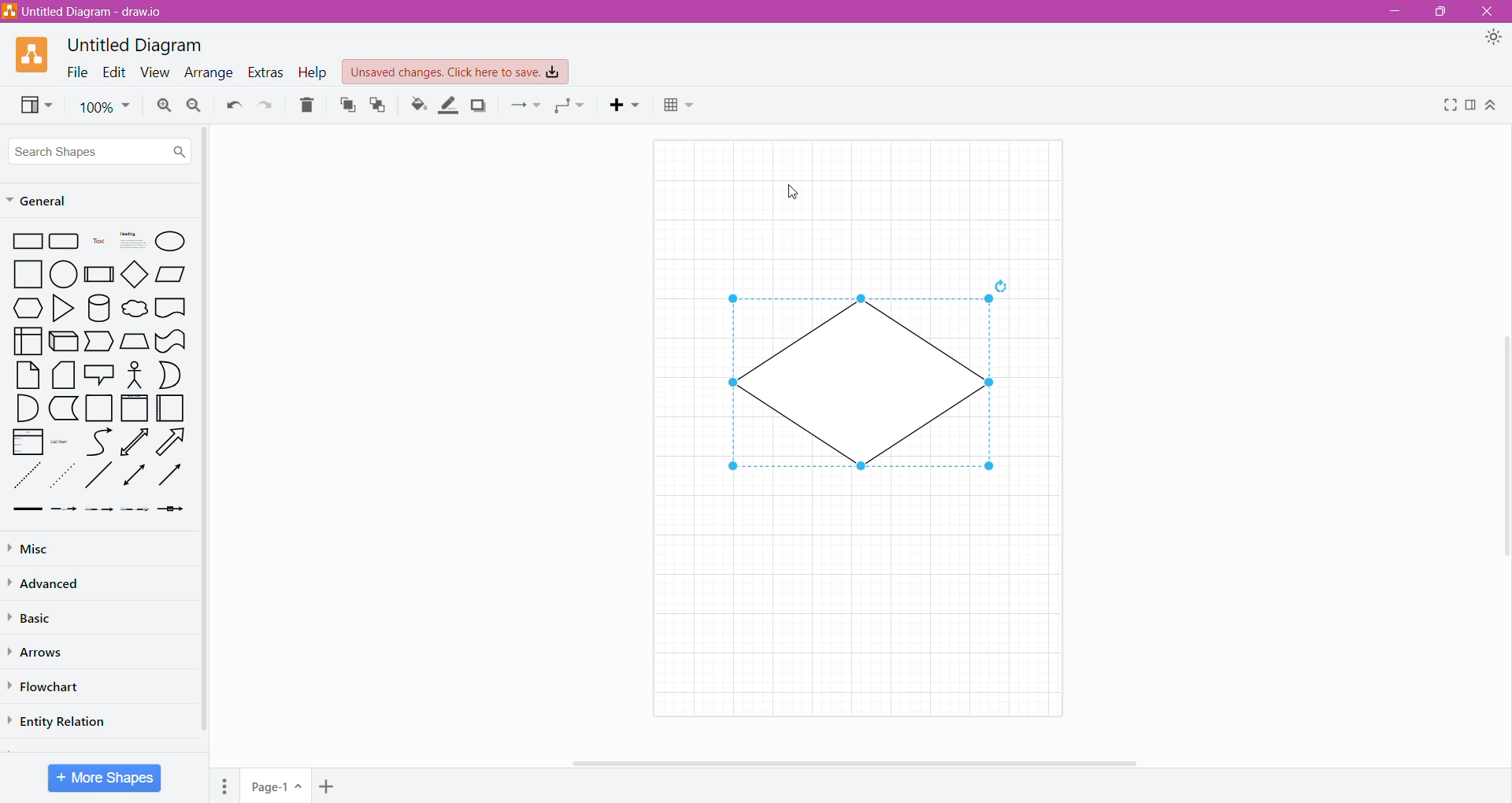 The width and height of the screenshot is (1512, 803). What do you see at coordinates (204, 434) in the screenshot?
I see `Vertical Scroll Bar` at bounding box center [204, 434].